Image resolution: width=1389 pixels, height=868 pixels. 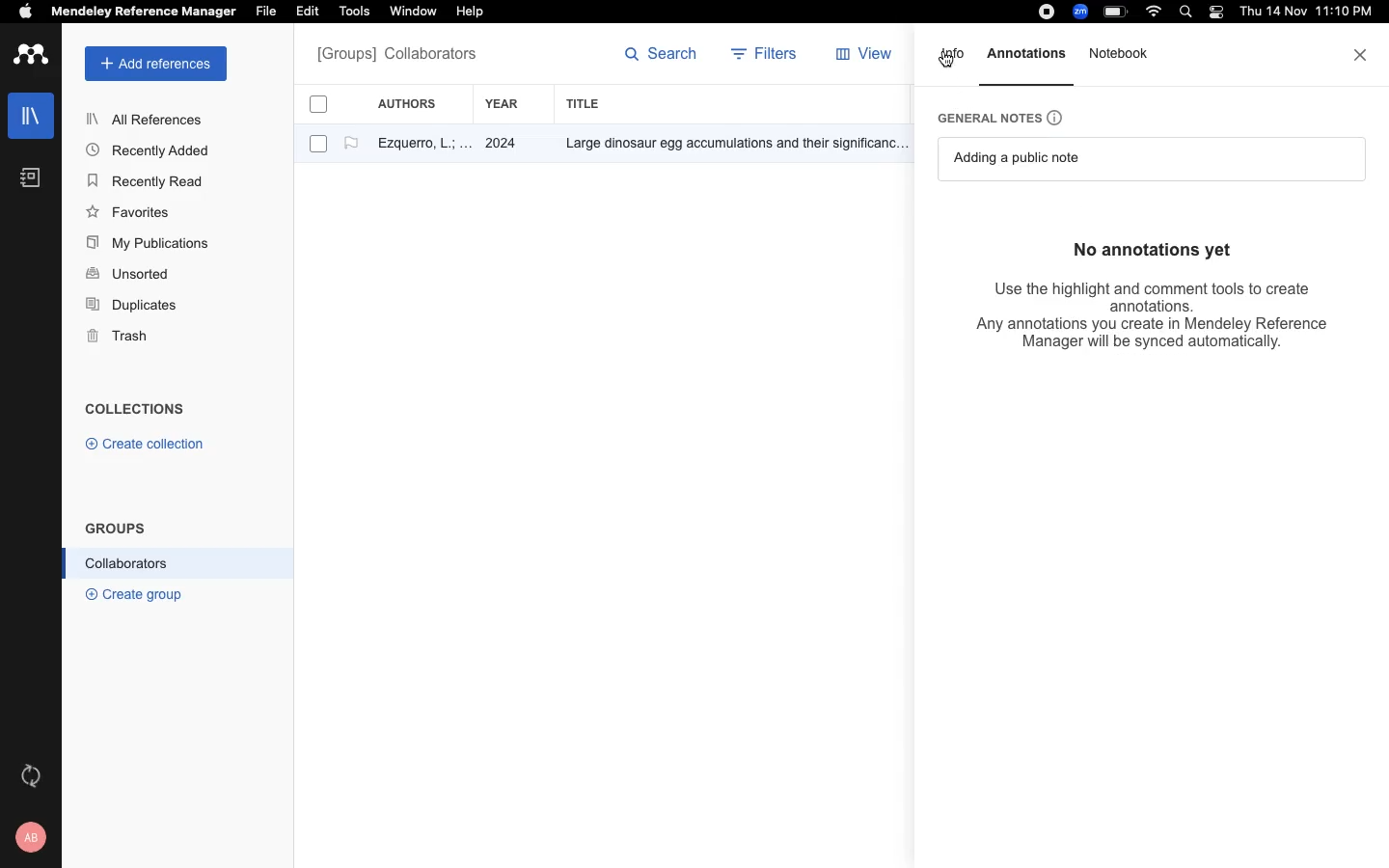 What do you see at coordinates (311, 13) in the screenshot?
I see `Edit` at bounding box center [311, 13].